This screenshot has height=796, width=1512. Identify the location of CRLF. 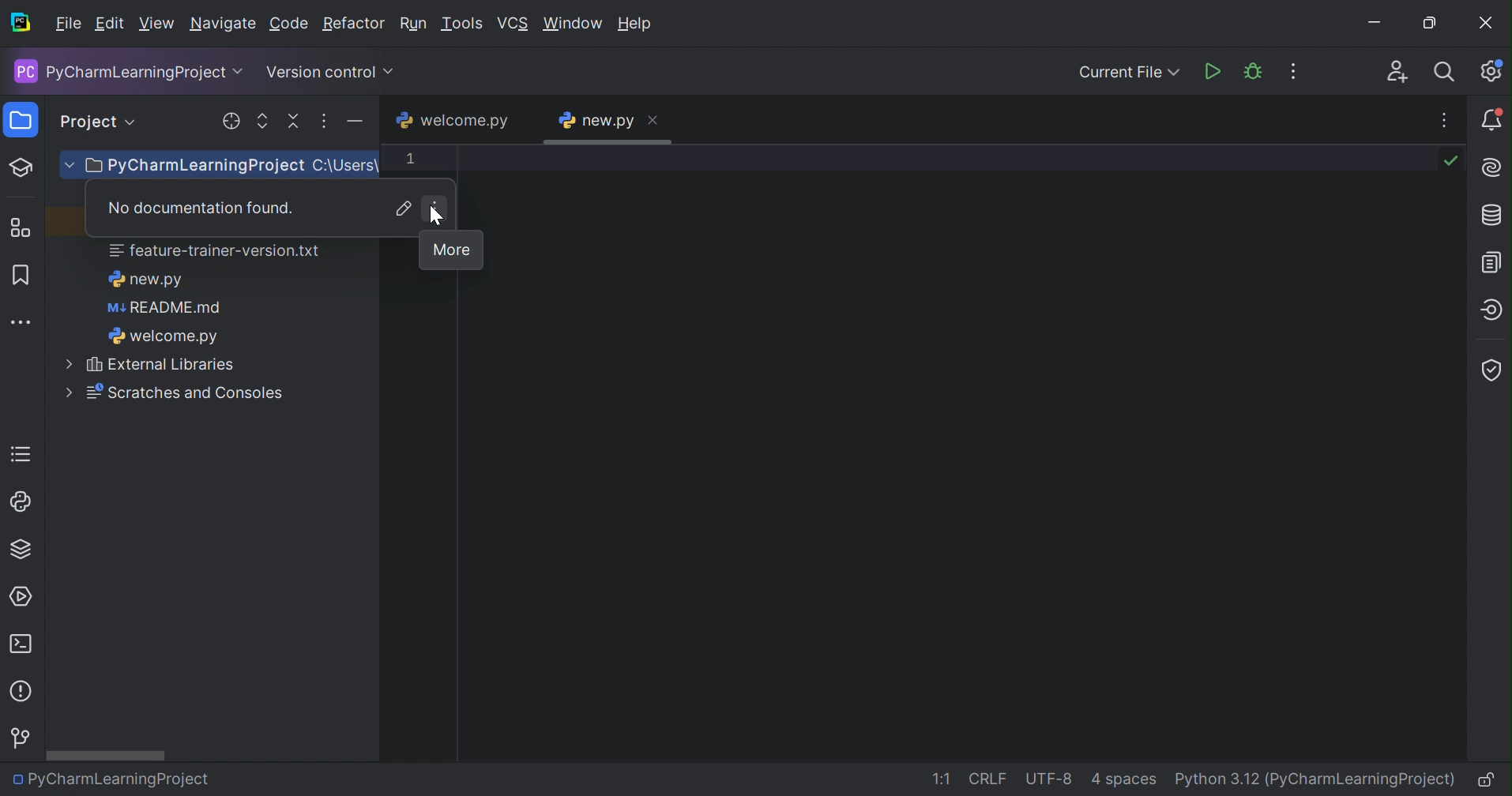
(988, 779).